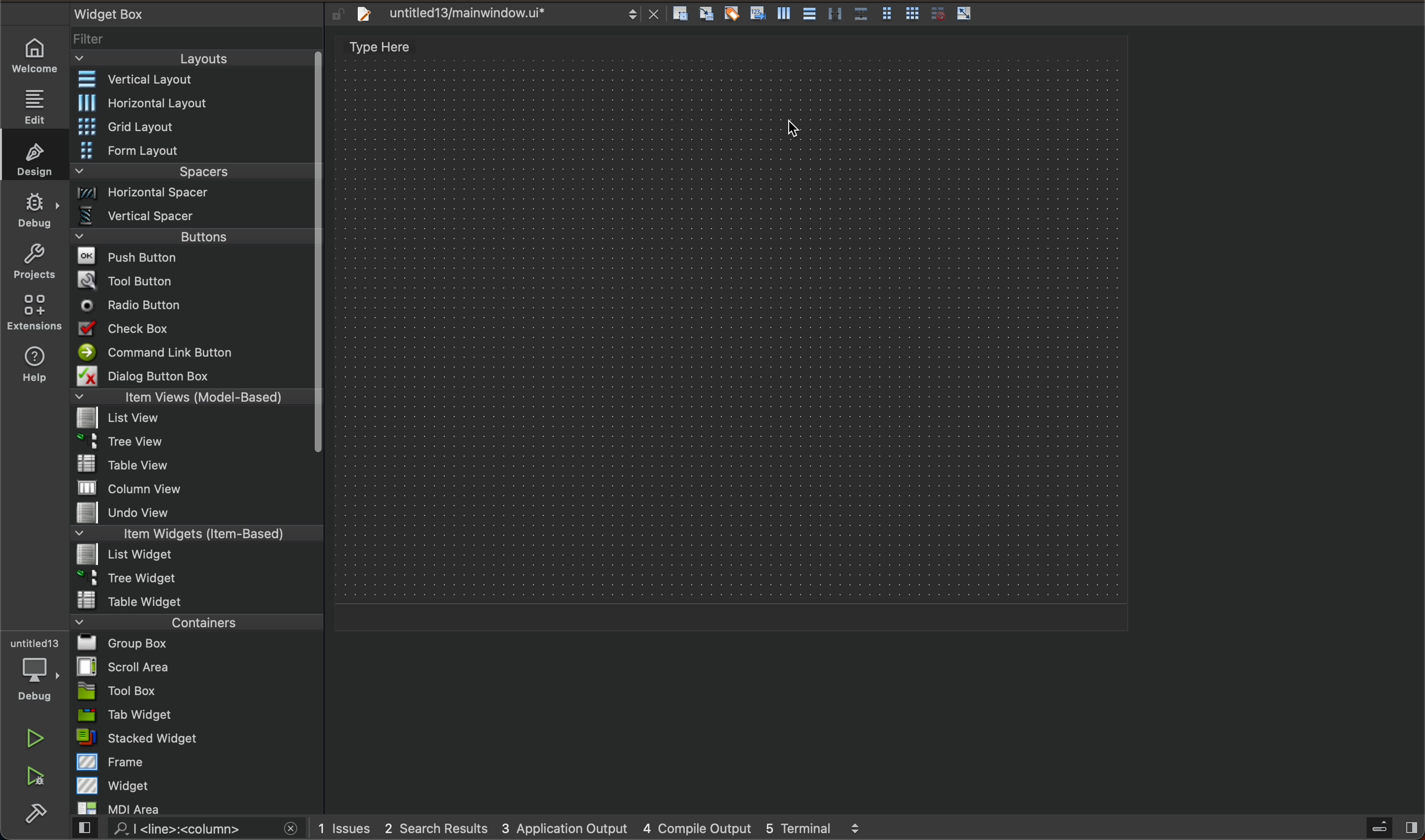  I want to click on MDI Area, so click(190, 808).